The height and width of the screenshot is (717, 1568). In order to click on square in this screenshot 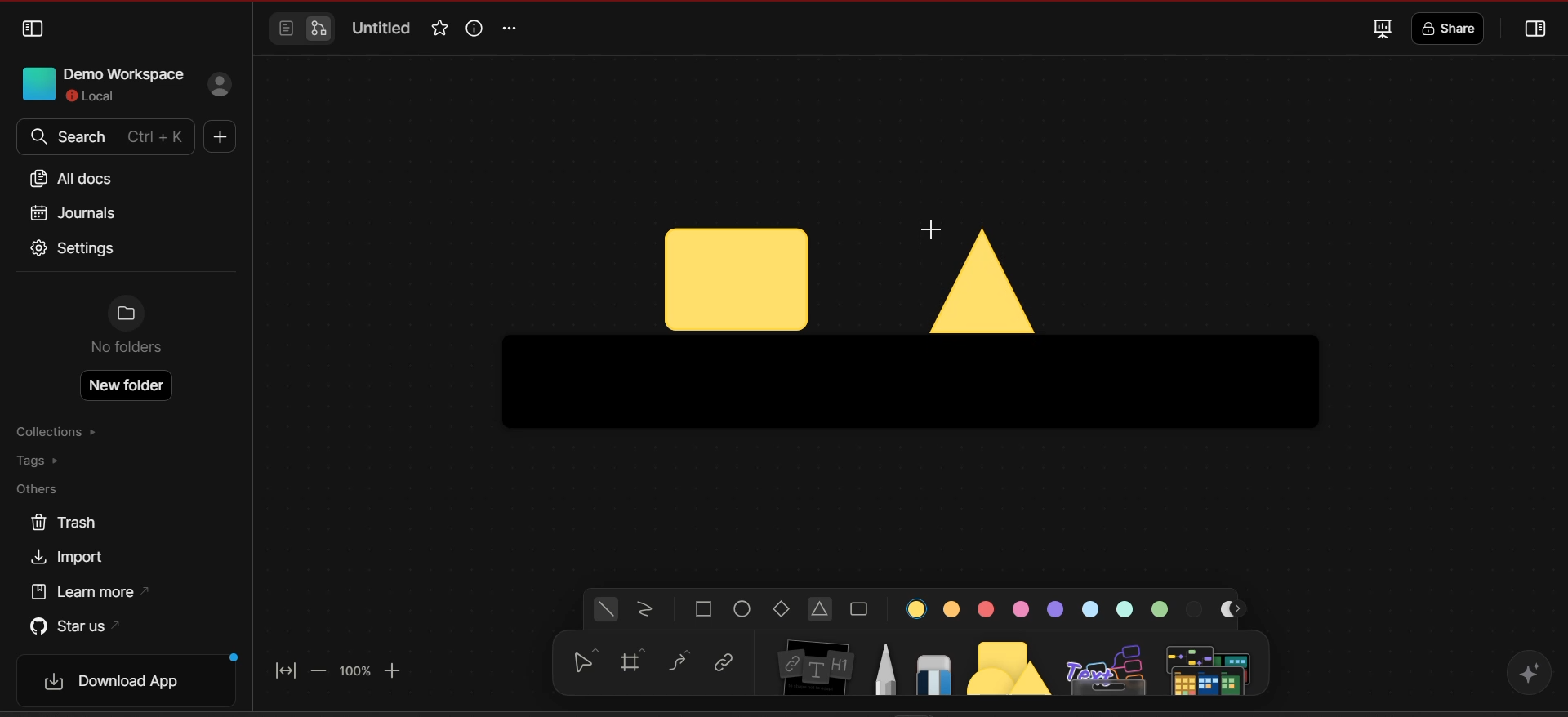, I will do `click(704, 609)`.